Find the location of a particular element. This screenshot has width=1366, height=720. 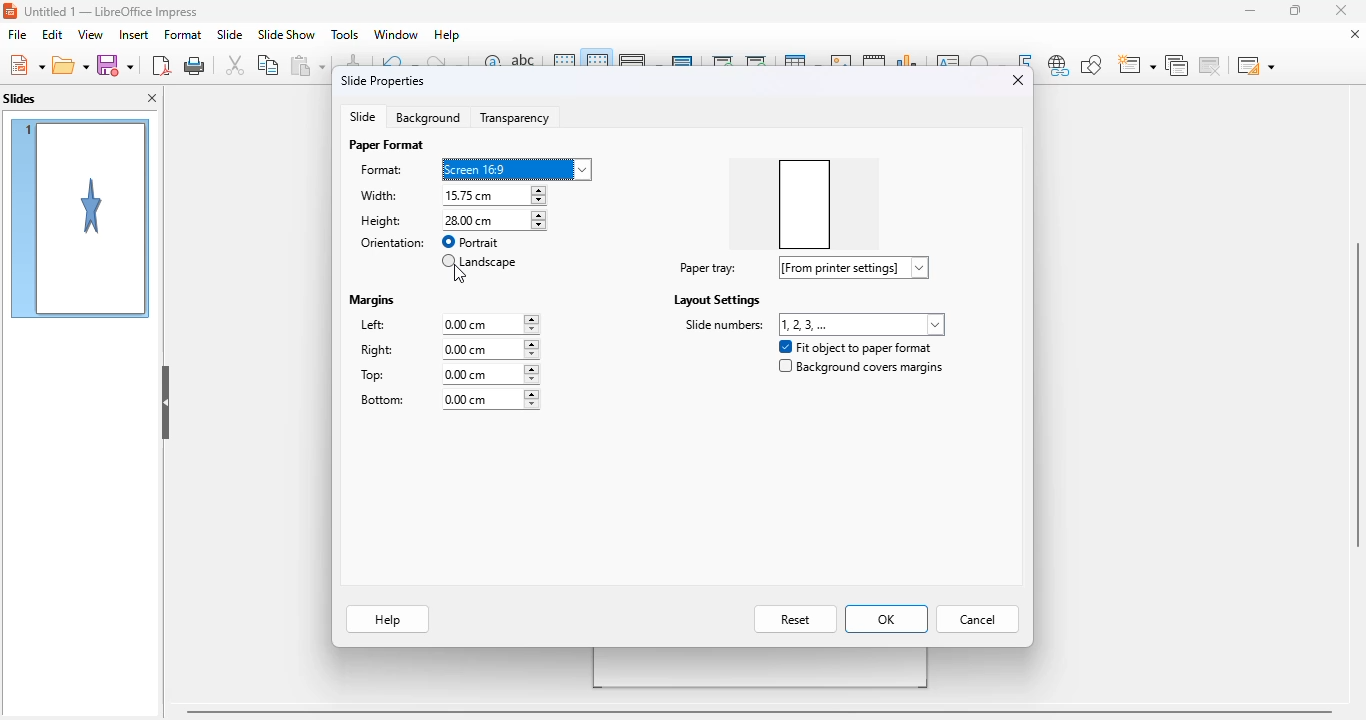

edit is located at coordinates (53, 35).